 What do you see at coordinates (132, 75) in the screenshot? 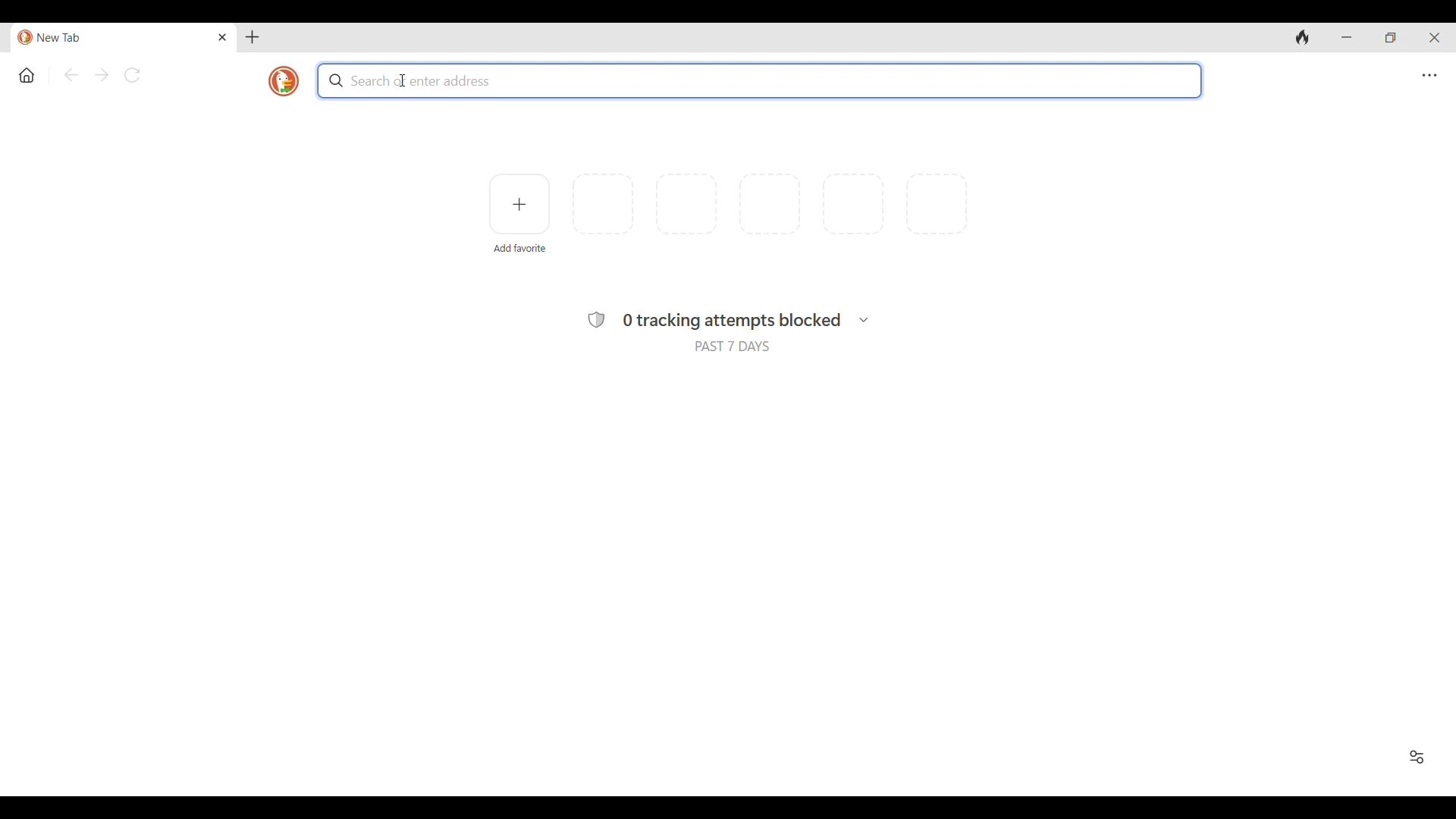
I see `Reload page` at bounding box center [132, 75].